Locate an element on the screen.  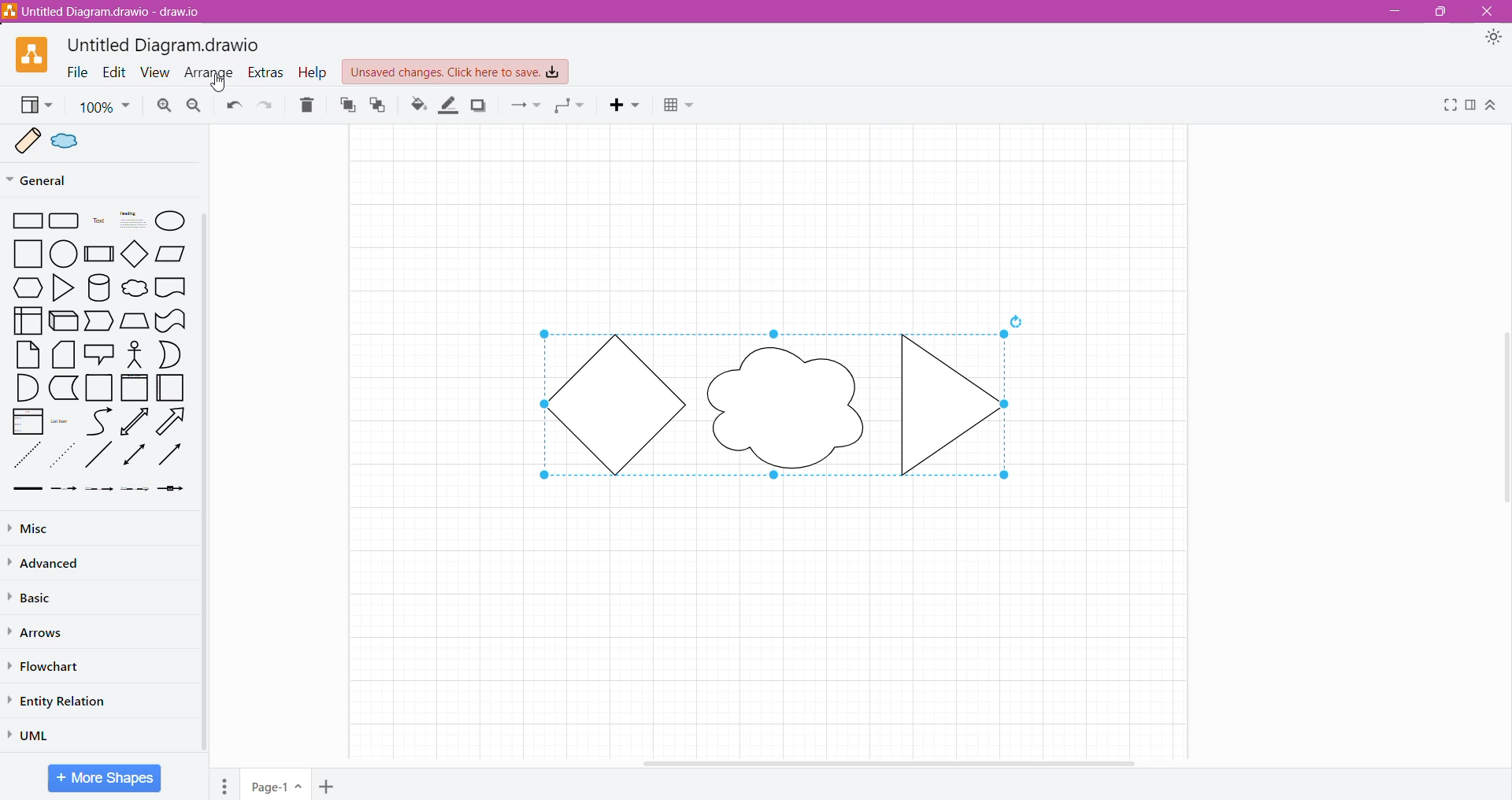
Zoom In is located at coordinates (165, 106).